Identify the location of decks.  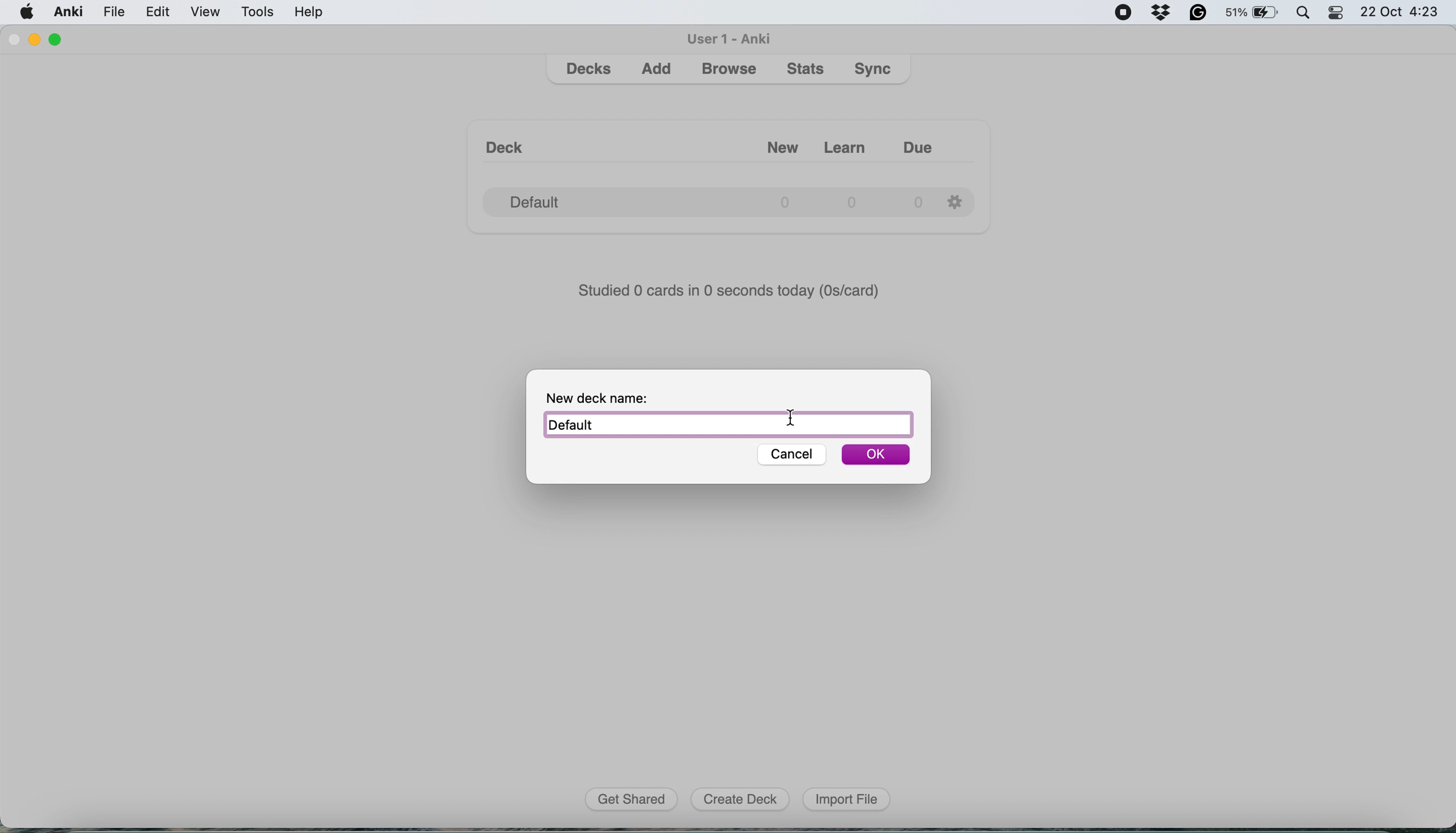
(590, 69).